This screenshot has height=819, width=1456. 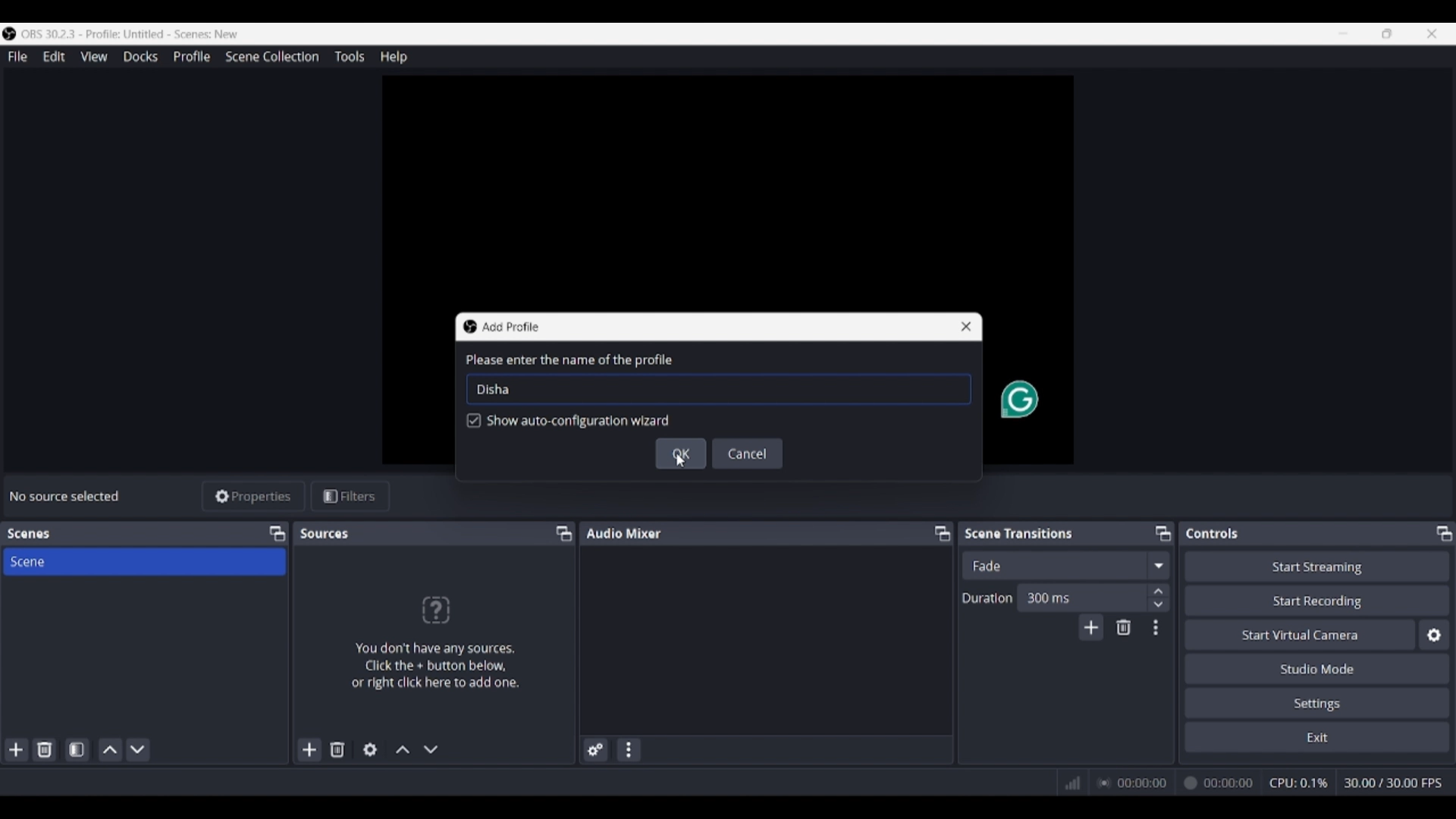 What do you see at coordinates (569, 422) in the screenshot?
I see `Toggle for Show auto-configuration wizard` at bounding box center [569, 422].